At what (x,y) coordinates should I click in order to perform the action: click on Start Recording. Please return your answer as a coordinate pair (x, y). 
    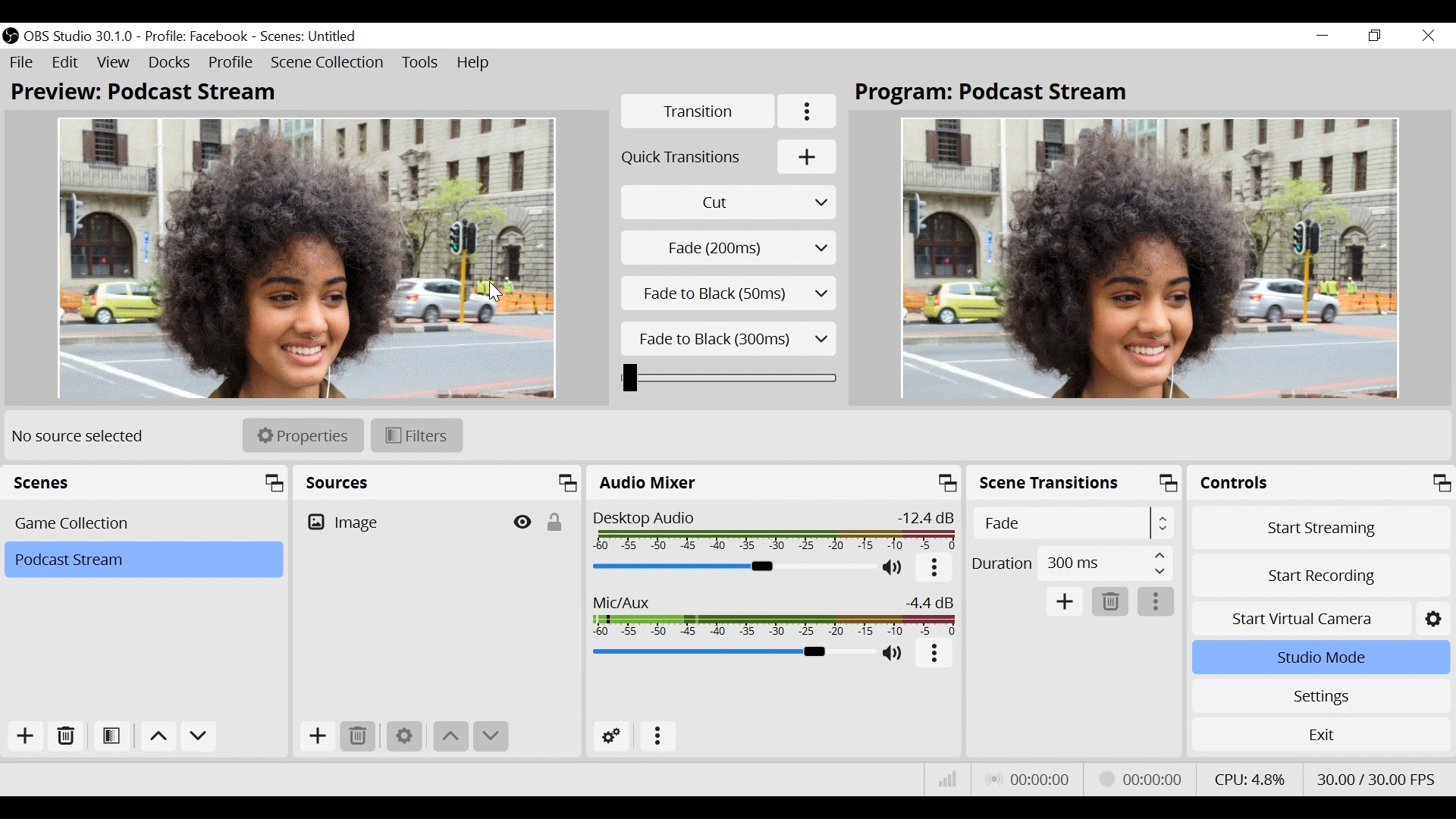
    Looking at the image, I should click on (1319, 575).